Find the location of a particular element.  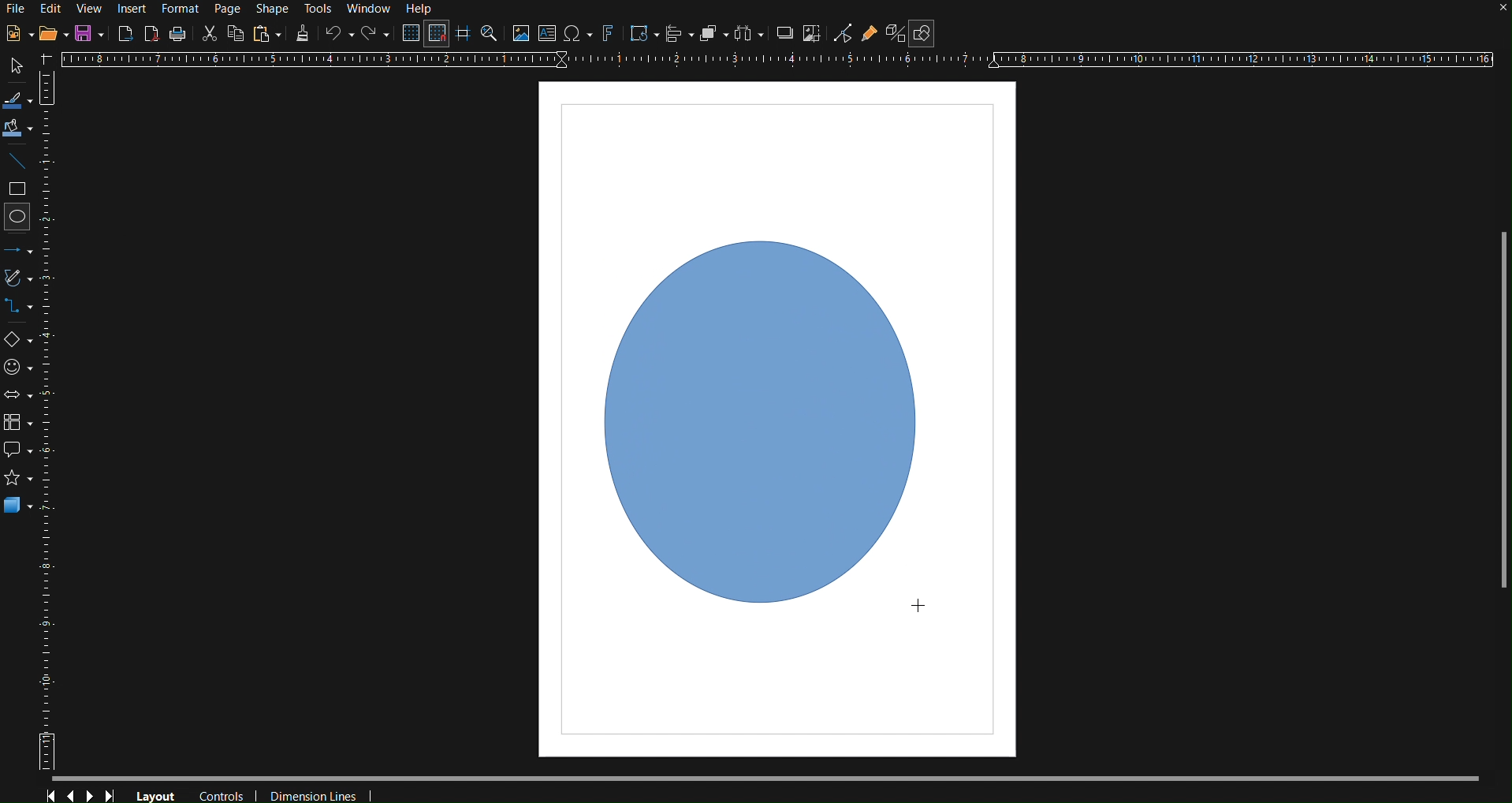

Show Gluepoint Functions is located at coordinates (870, 35).